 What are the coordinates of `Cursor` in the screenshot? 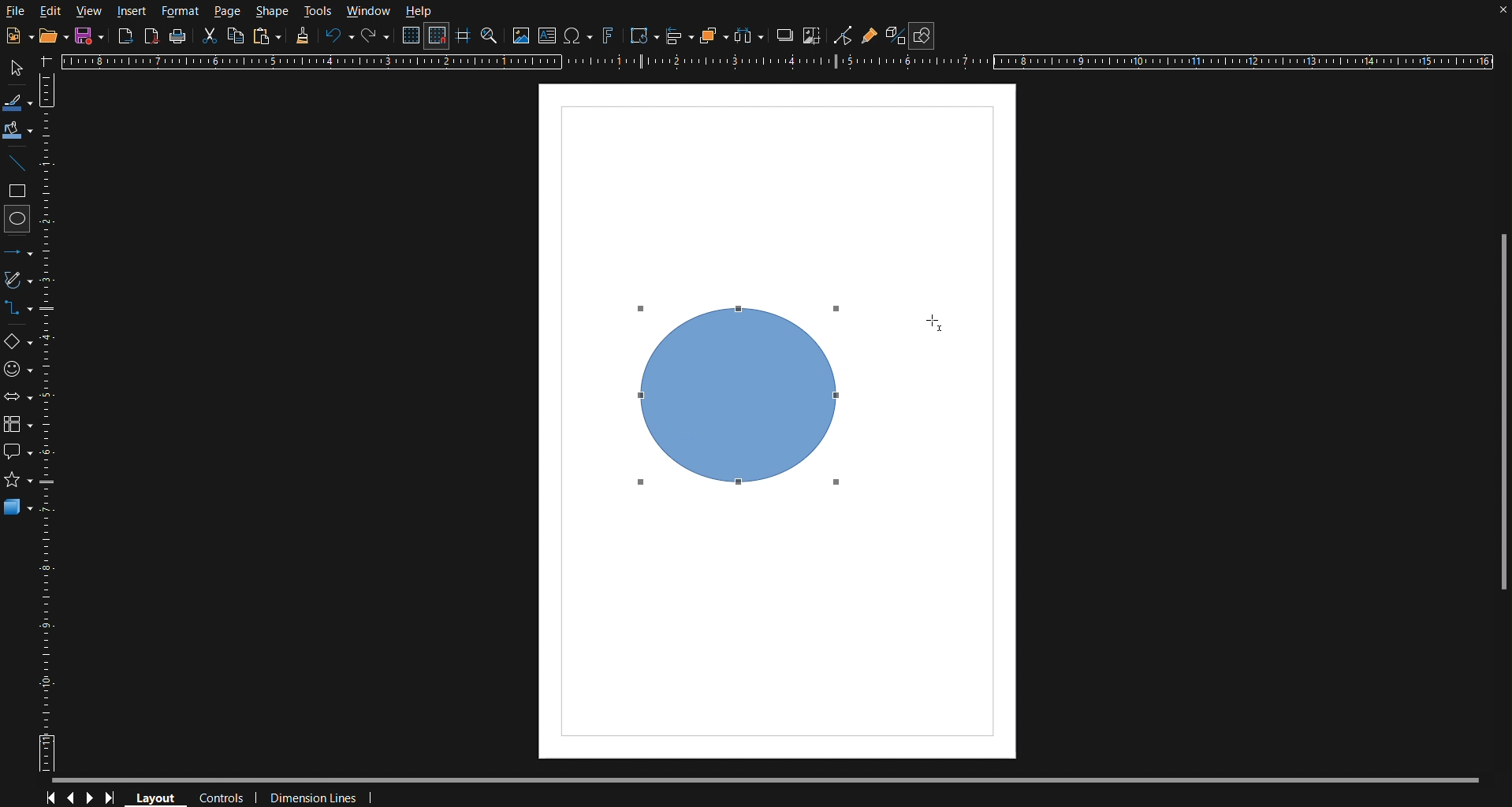 It's located at (836, 485).